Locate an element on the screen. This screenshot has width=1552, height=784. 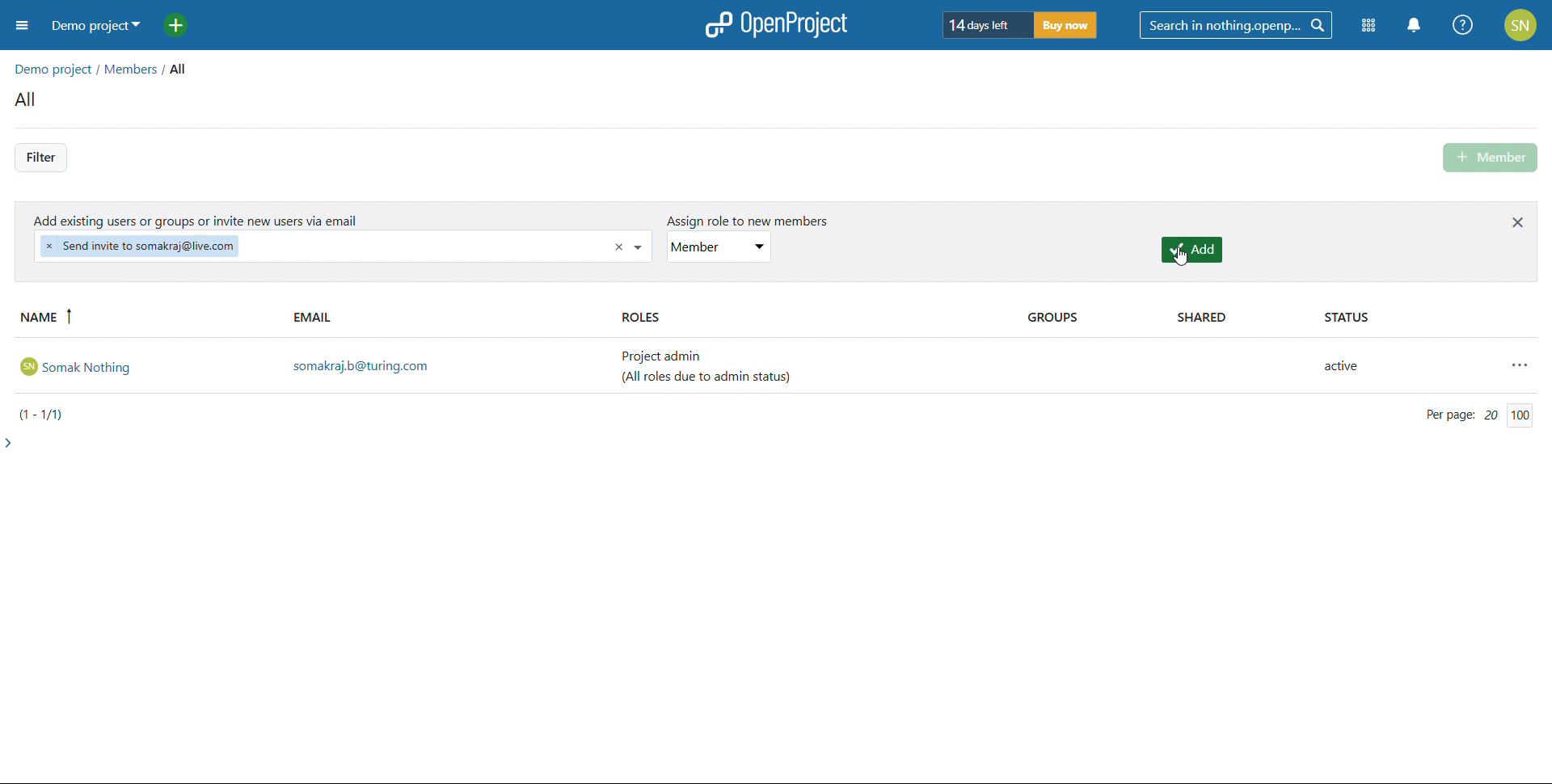
days left of trial is located at coordinates (987, 24).